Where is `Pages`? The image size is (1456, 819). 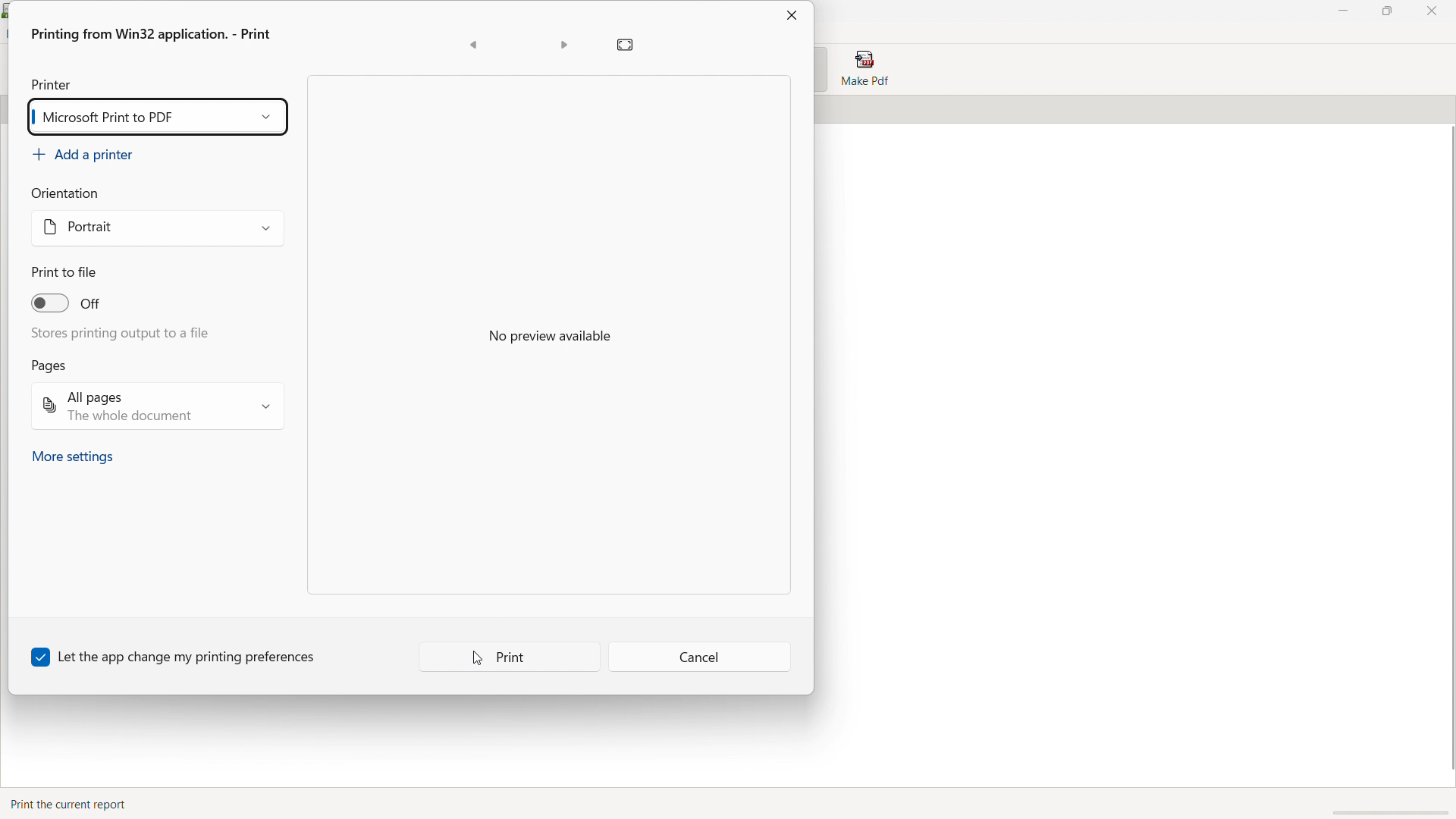
Pages is located at coordinates (49, 366).